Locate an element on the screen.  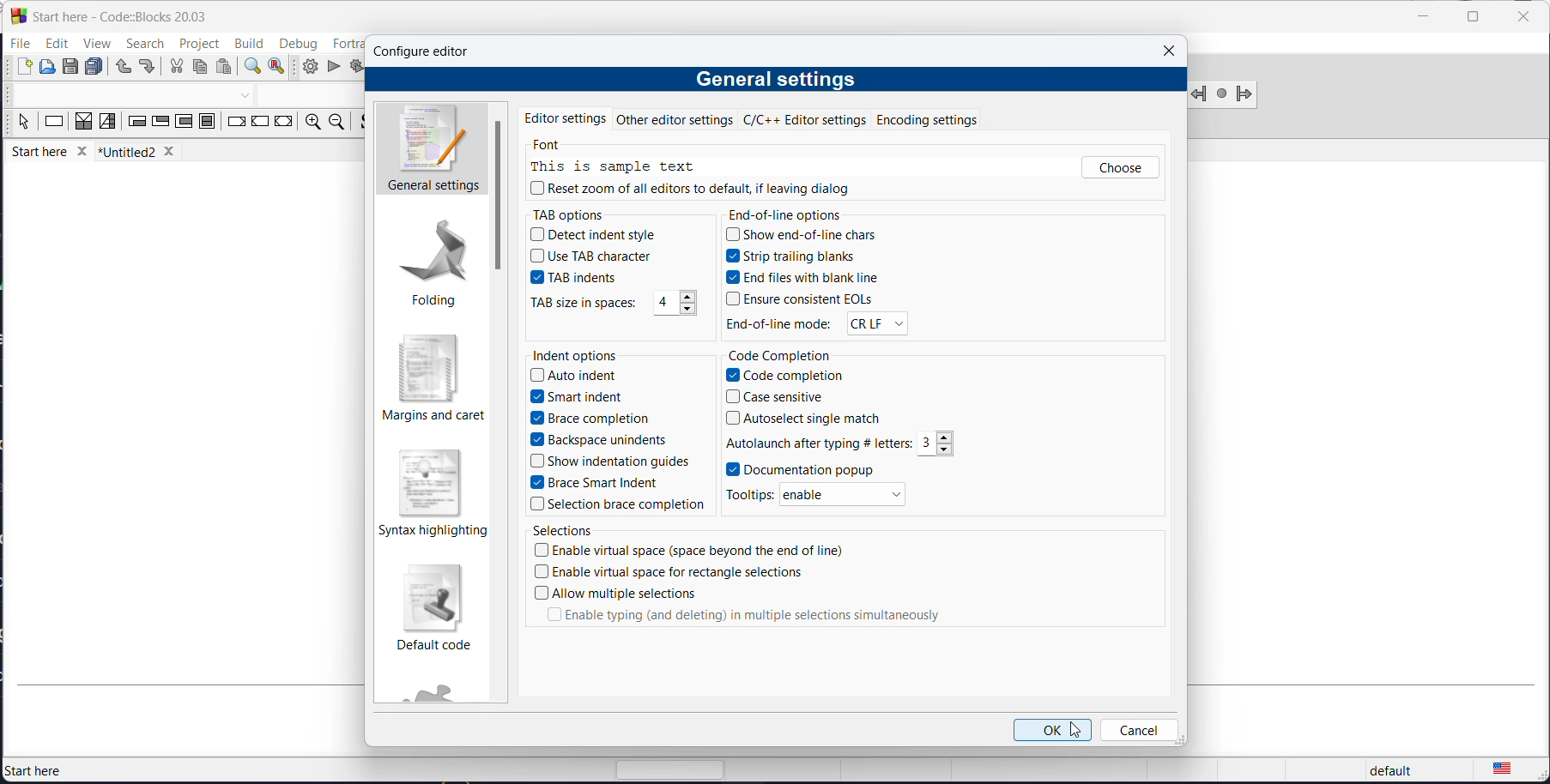
autolauch after typing  is located at coordinates (817, 441).